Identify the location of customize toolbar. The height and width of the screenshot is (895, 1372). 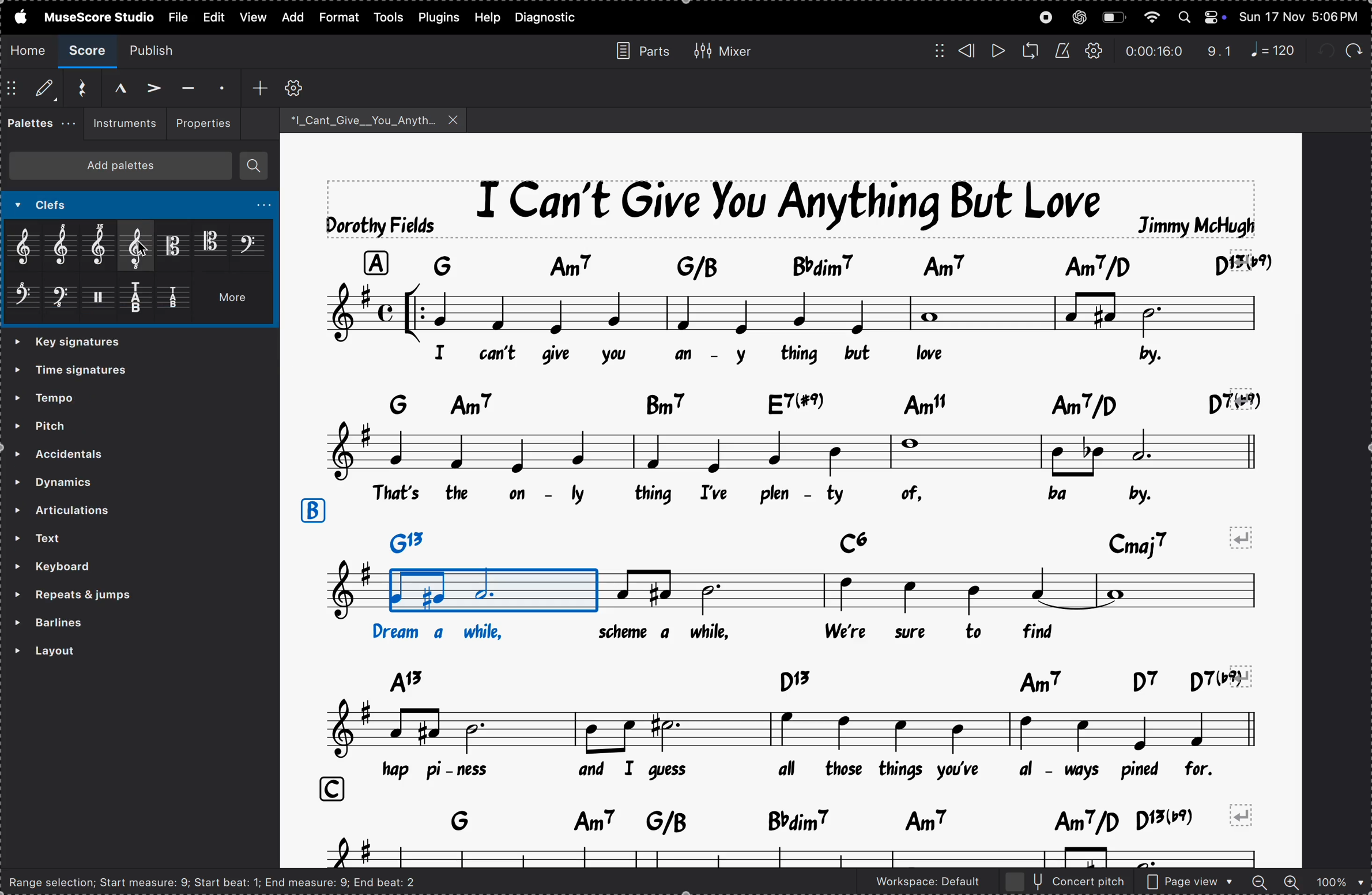
(296, 87).